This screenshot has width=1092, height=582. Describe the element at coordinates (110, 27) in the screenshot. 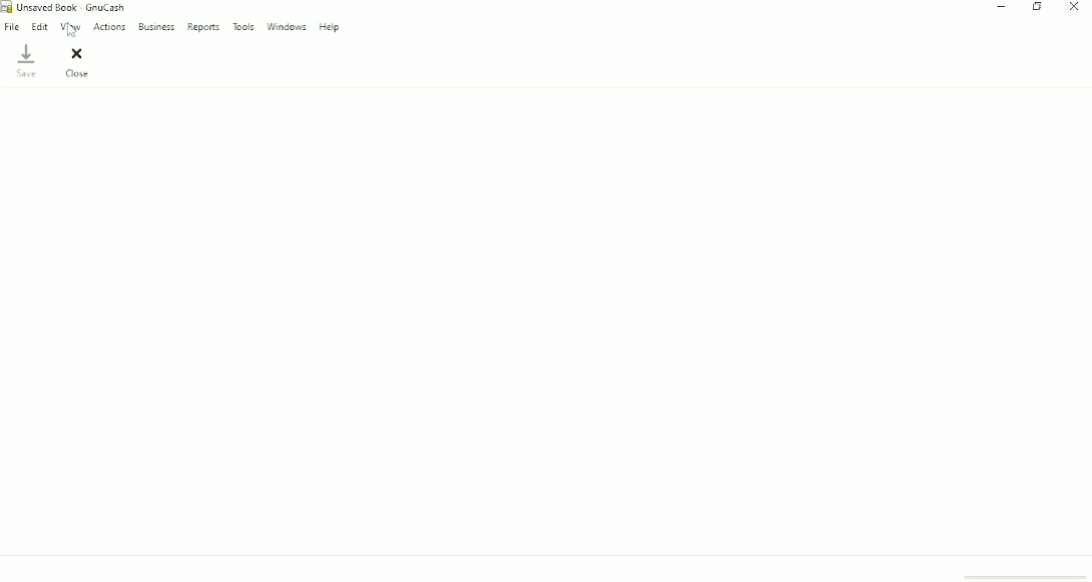

I see `Actions` at that location.